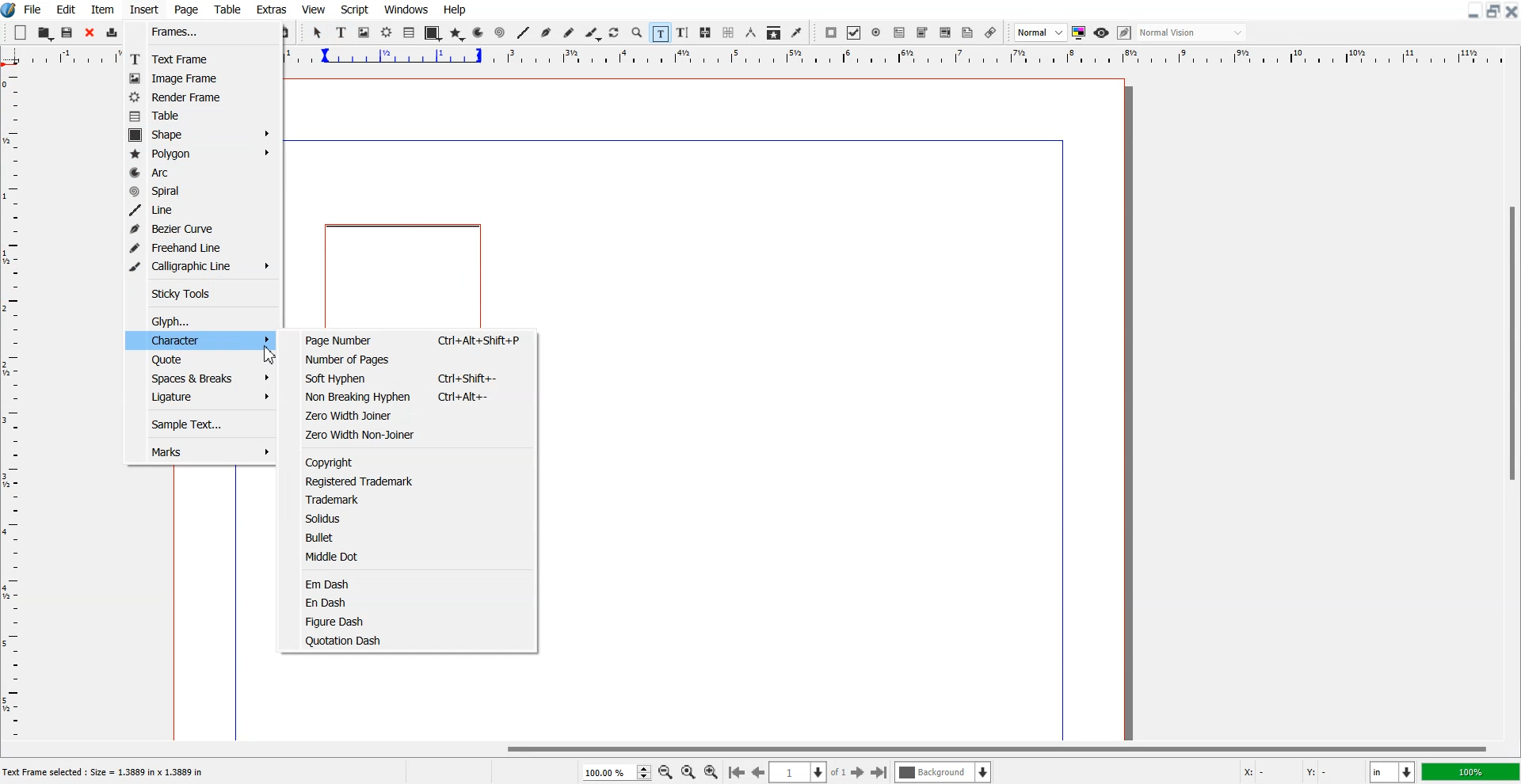  Describe the element at coordinates (185, 10) in the screenshot. I see `Page` at that location.